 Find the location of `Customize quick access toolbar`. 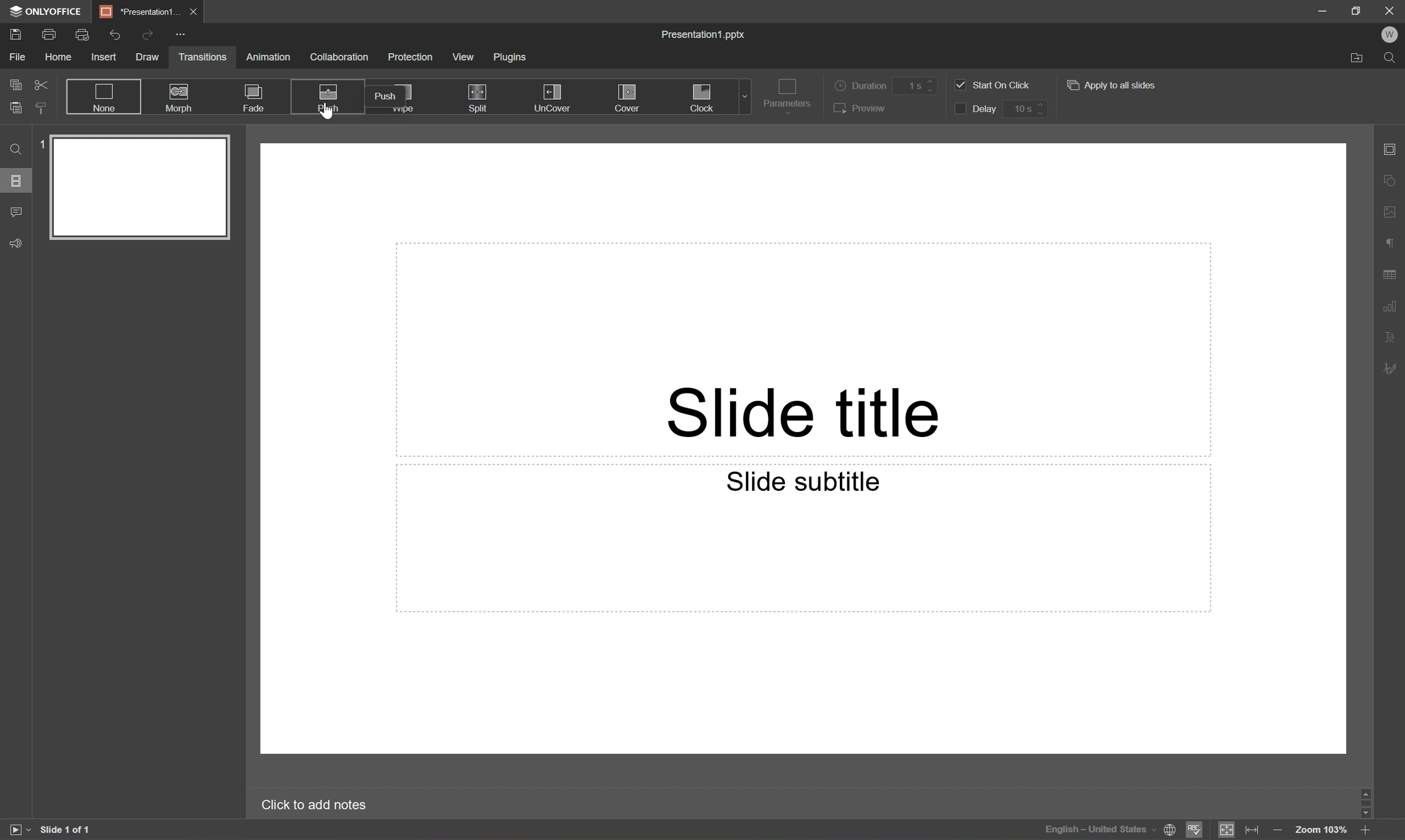

Customize quick access toolbar is located at coordinates (183, 36).